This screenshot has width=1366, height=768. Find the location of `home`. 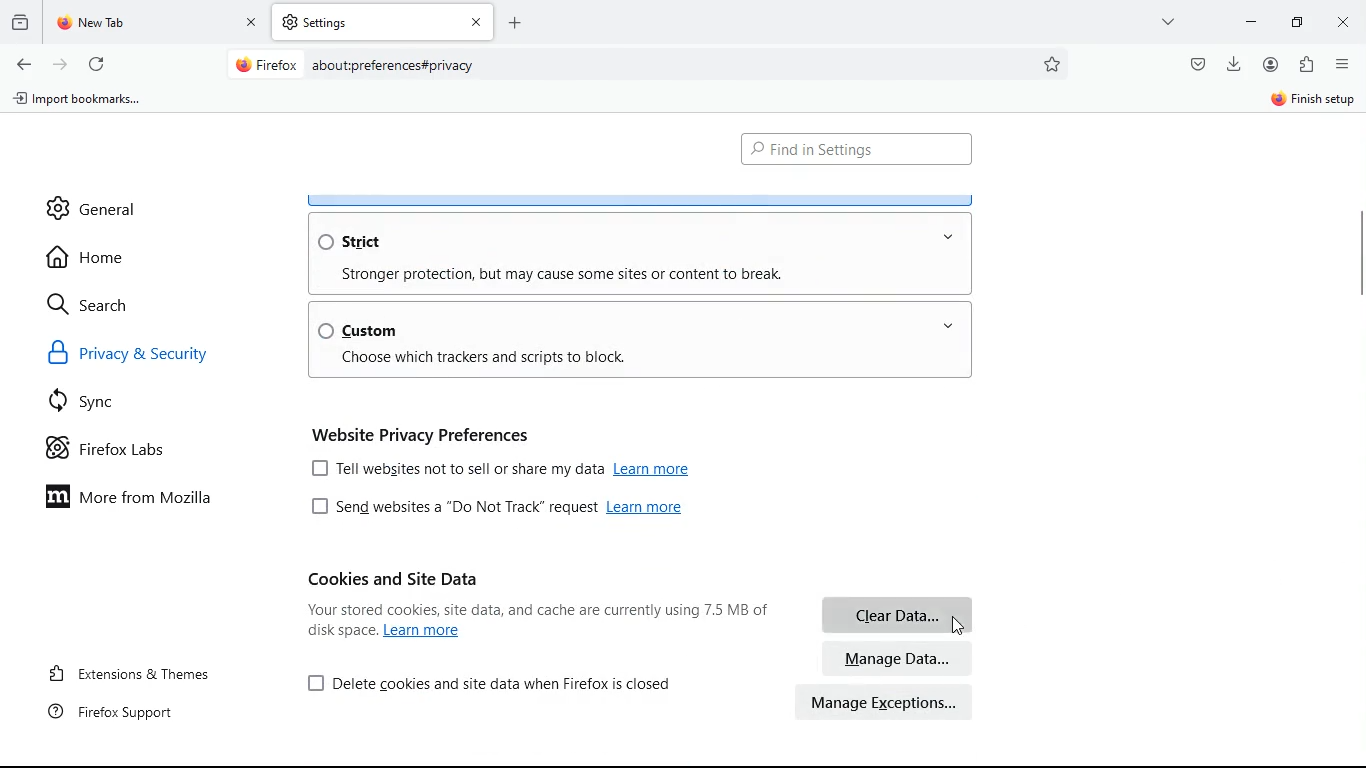

home is located at coordinates (94, 257).